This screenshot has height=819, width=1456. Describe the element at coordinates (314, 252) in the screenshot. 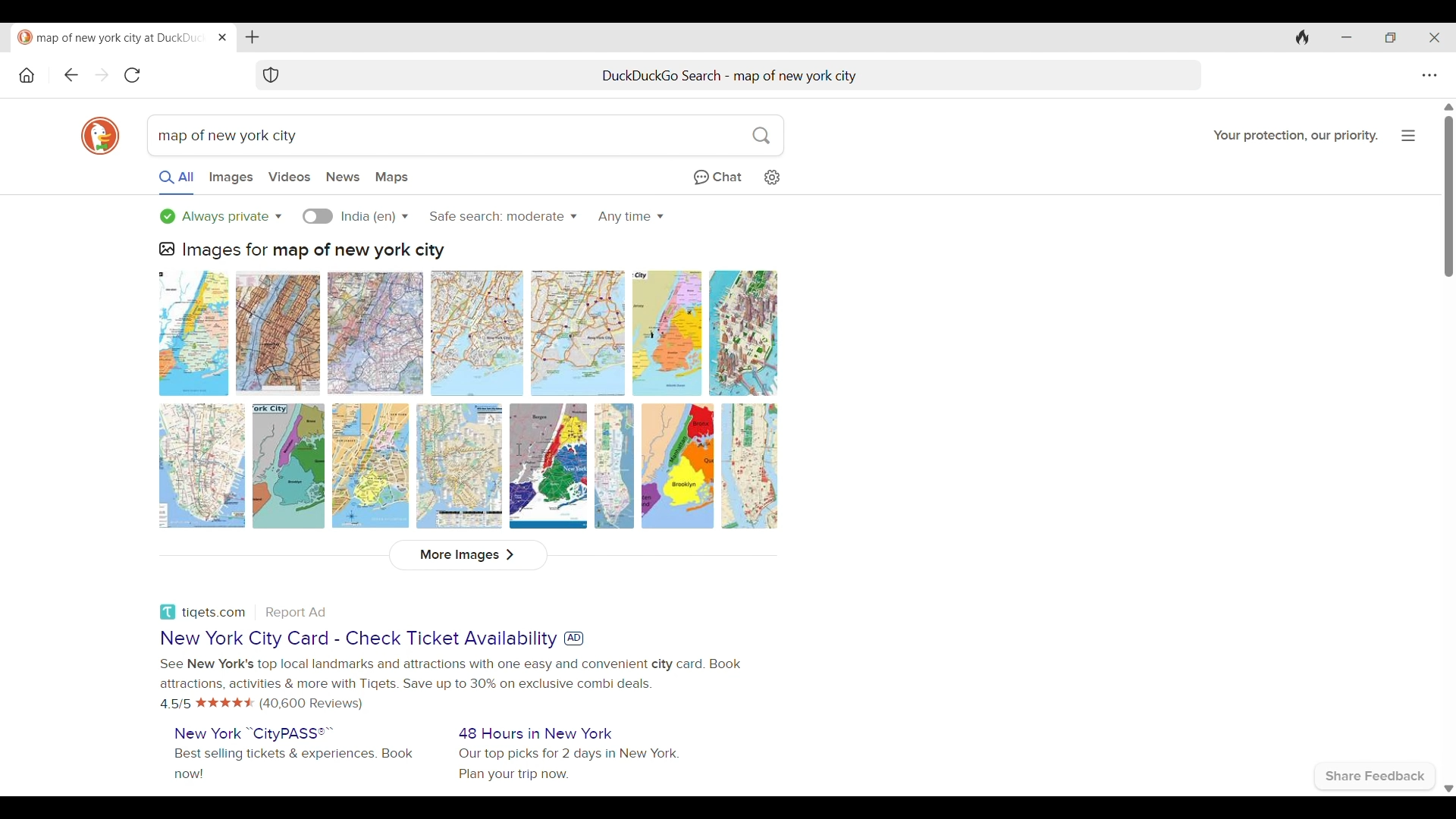

I see `Images for map of new york city` at that location.